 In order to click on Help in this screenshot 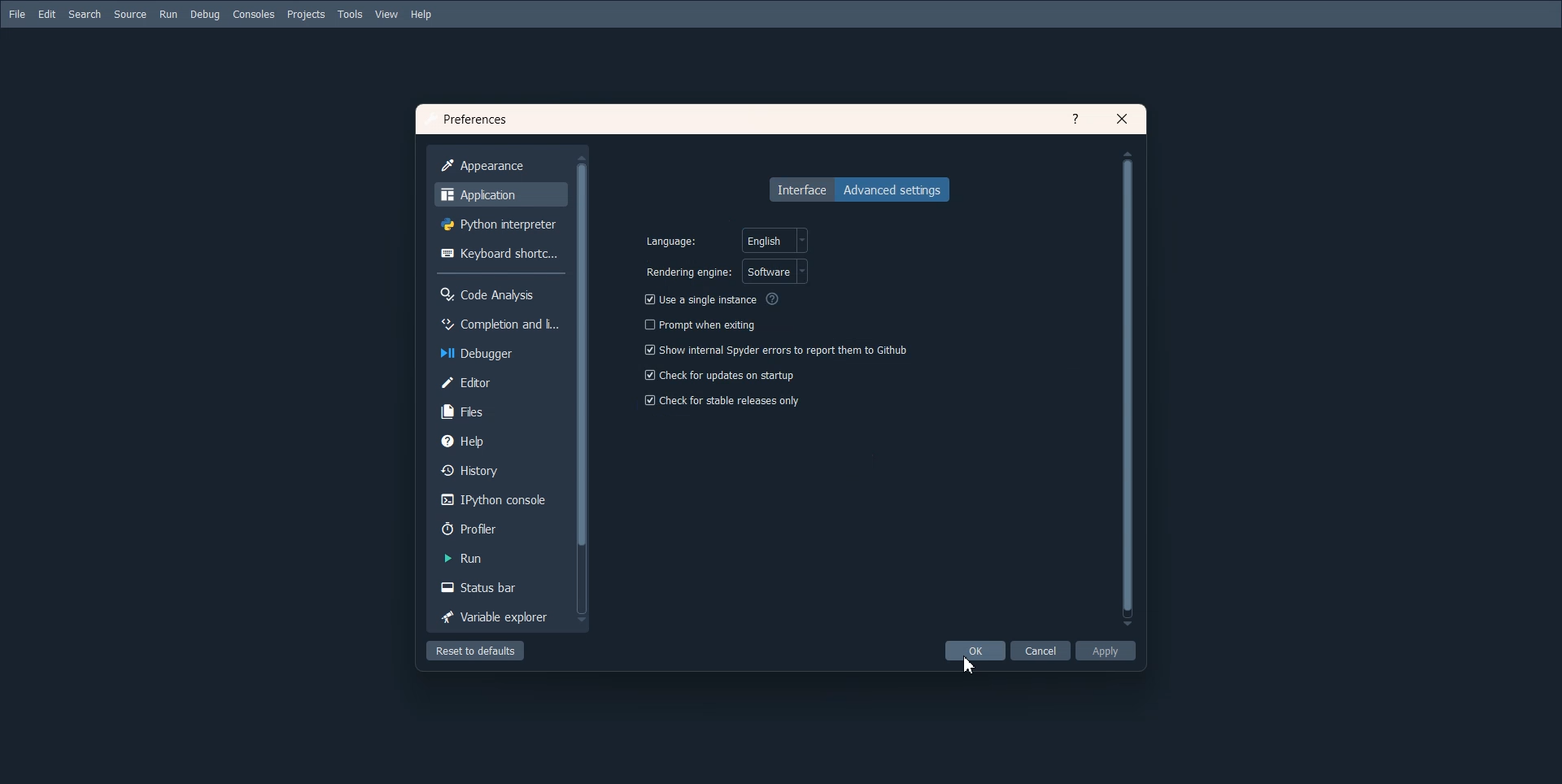, I will do `click(1076, 118)`.